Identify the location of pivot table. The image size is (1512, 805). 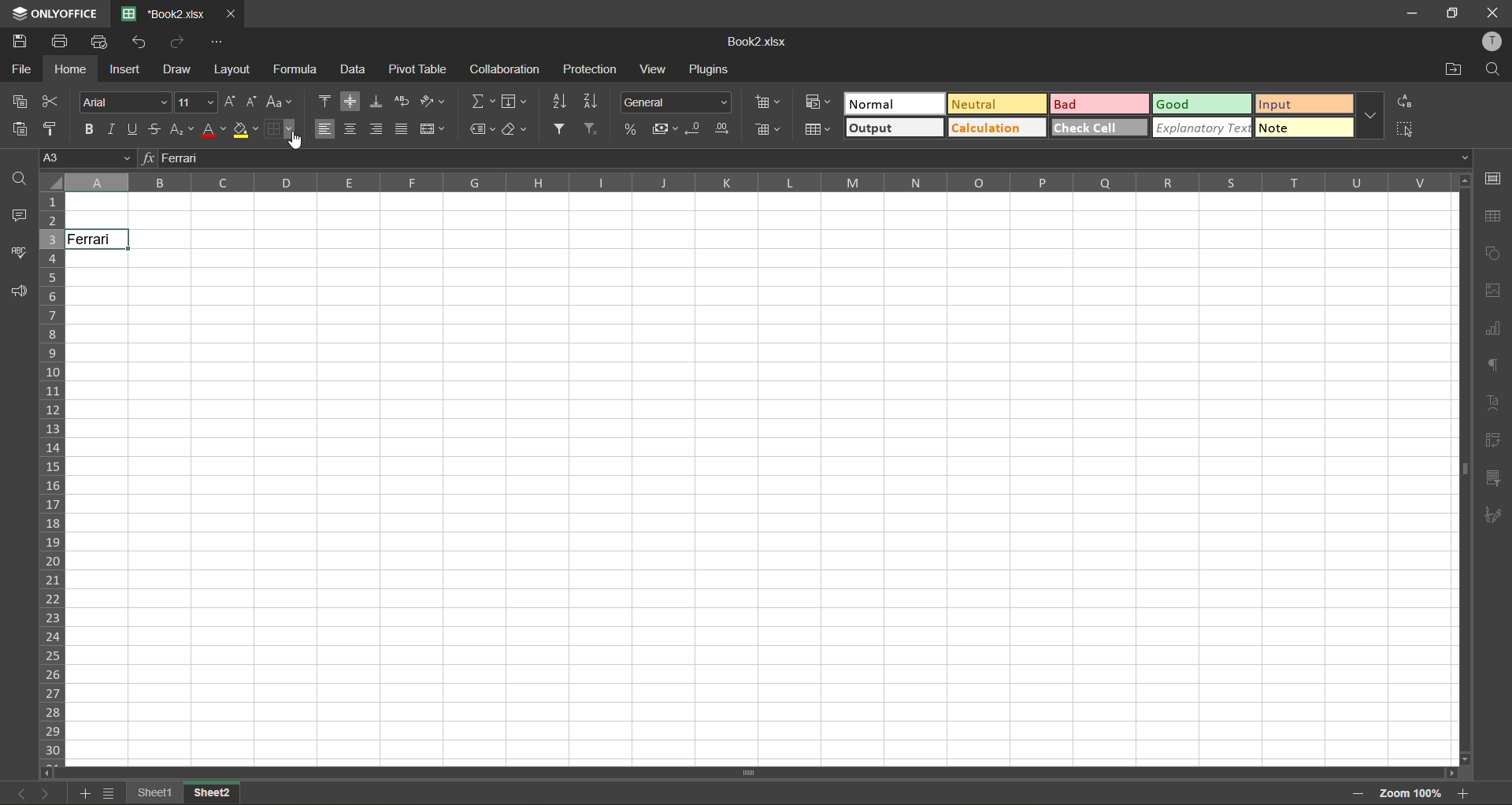
(421, 69).